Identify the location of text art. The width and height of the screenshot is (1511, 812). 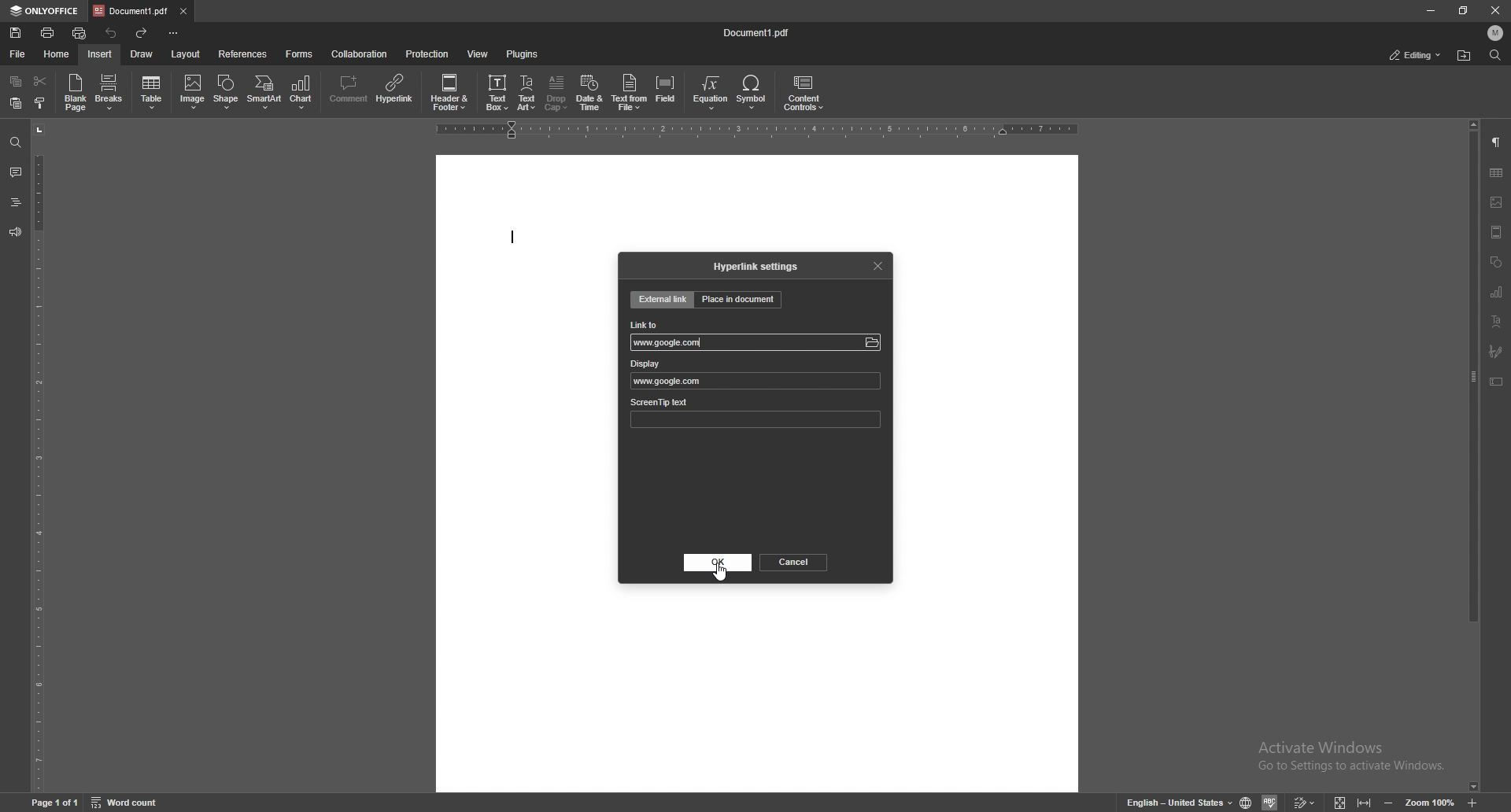
(526, 93).